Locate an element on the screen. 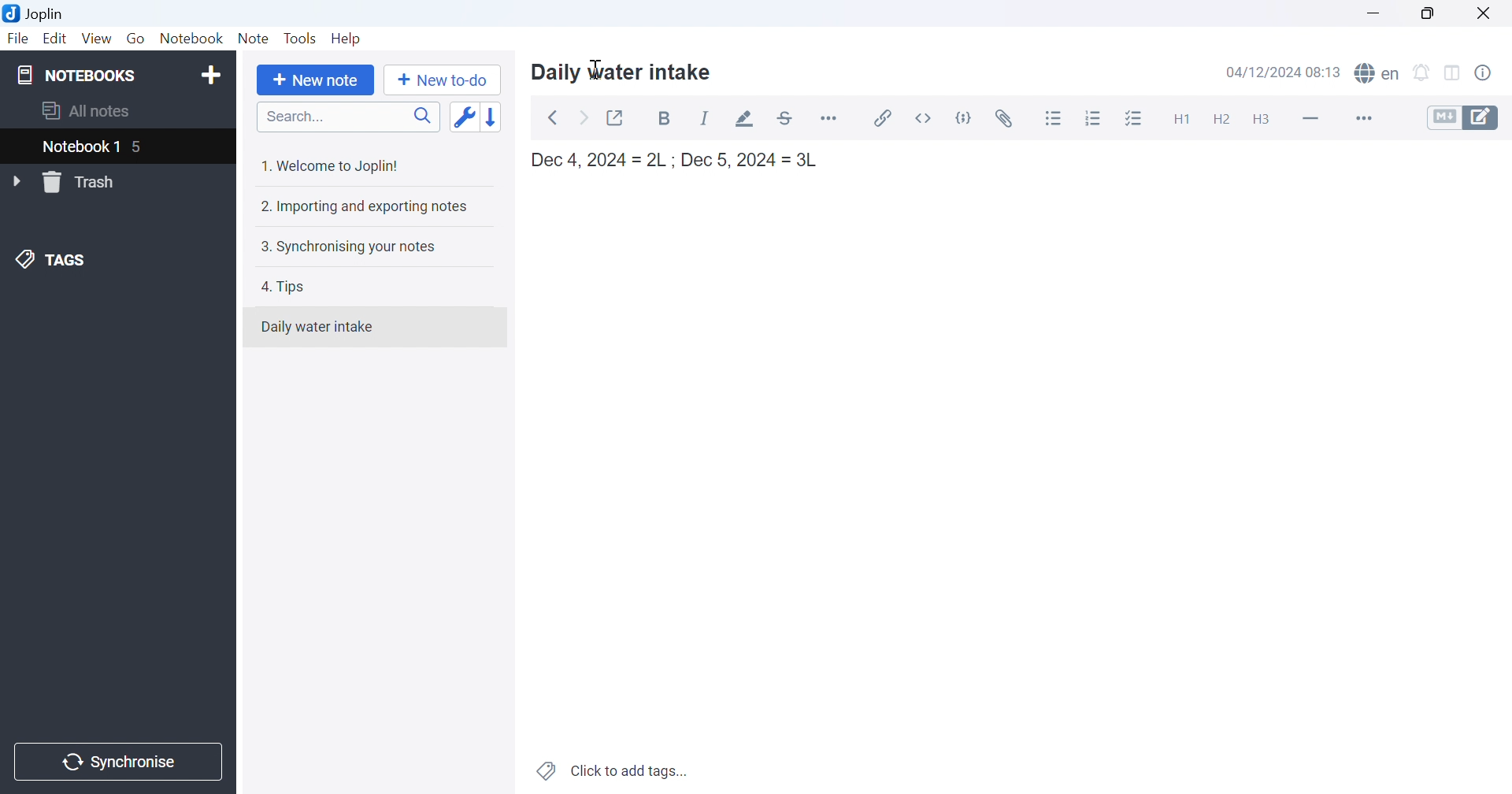  Daily water intake is located at coordinates (623, 71).